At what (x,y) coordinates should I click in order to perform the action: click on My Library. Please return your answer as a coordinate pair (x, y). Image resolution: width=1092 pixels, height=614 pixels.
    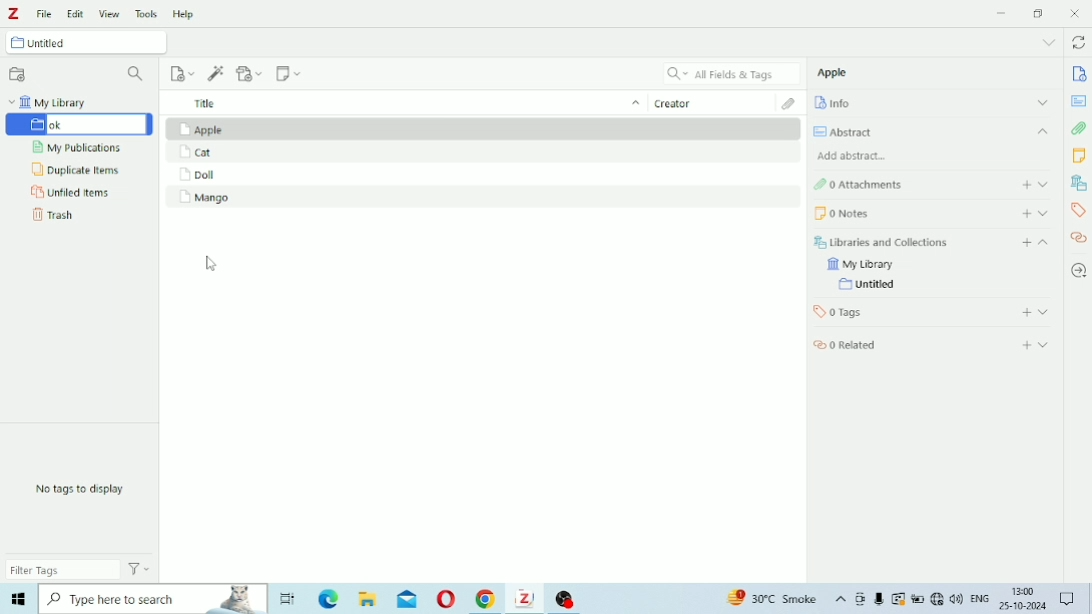
    Looking at the image, I should click on (859, 265).